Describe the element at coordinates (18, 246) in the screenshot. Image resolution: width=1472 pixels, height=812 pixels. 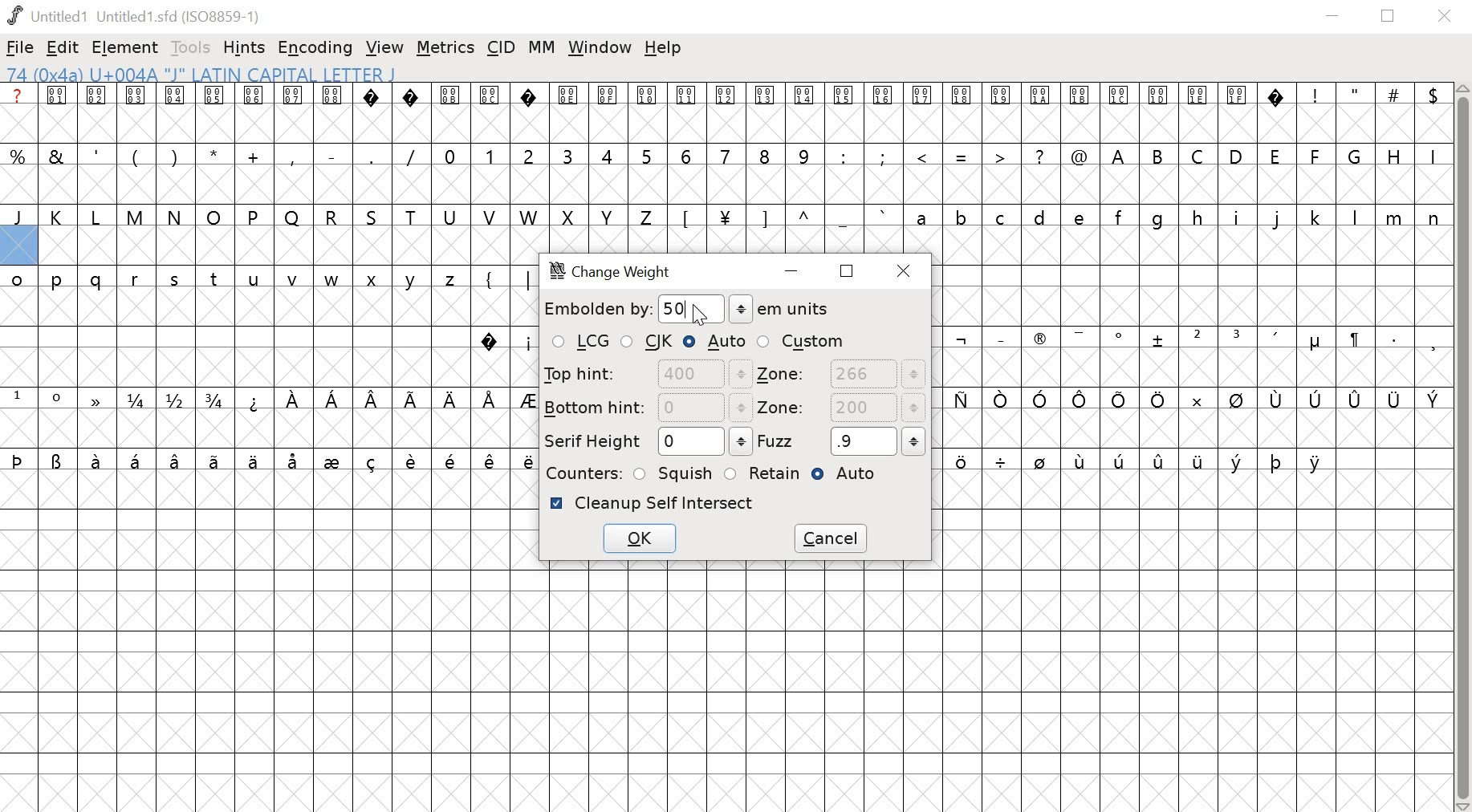
I see `selected glyph slot` at that location.